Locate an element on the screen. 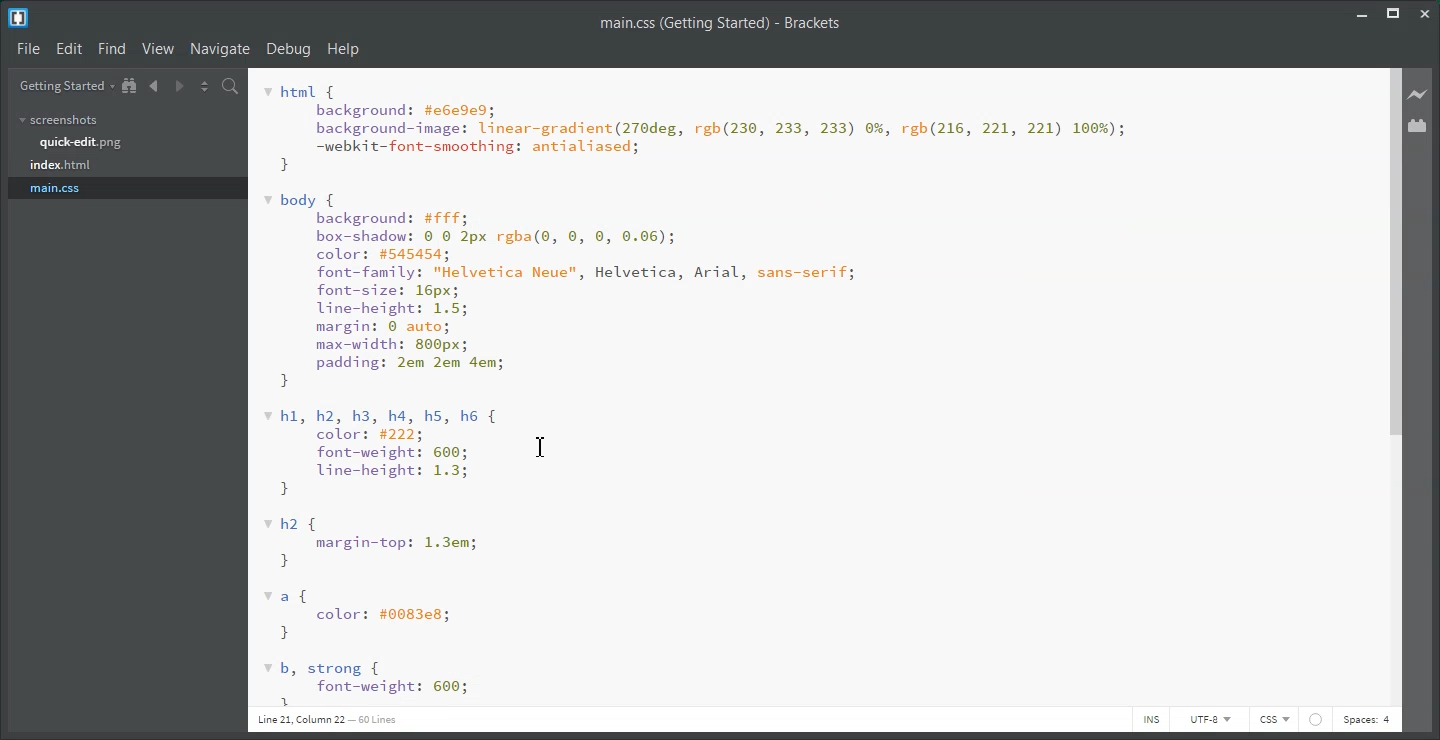 This screenshot has width=1440, height=740. Navigate Forwards is located at coordinates (180, 86).